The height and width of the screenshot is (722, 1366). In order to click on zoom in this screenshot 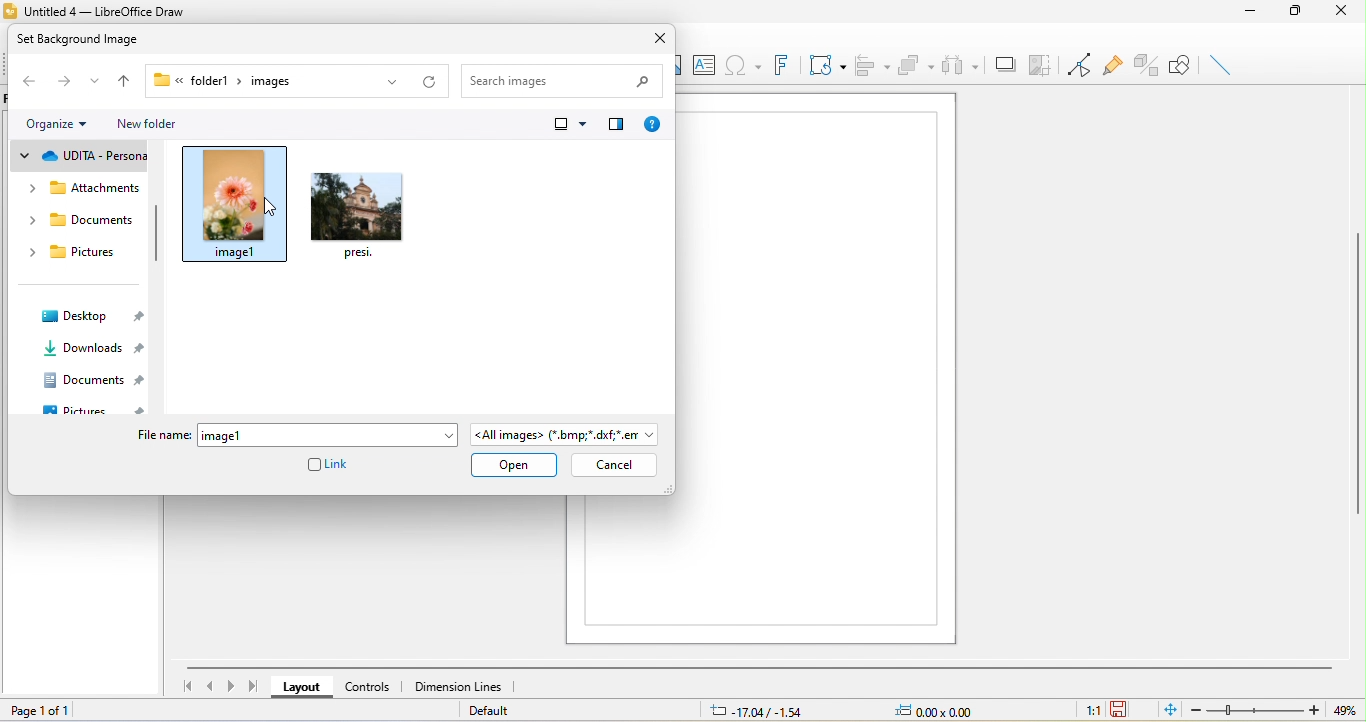, I will do `click(1251, 709)`.